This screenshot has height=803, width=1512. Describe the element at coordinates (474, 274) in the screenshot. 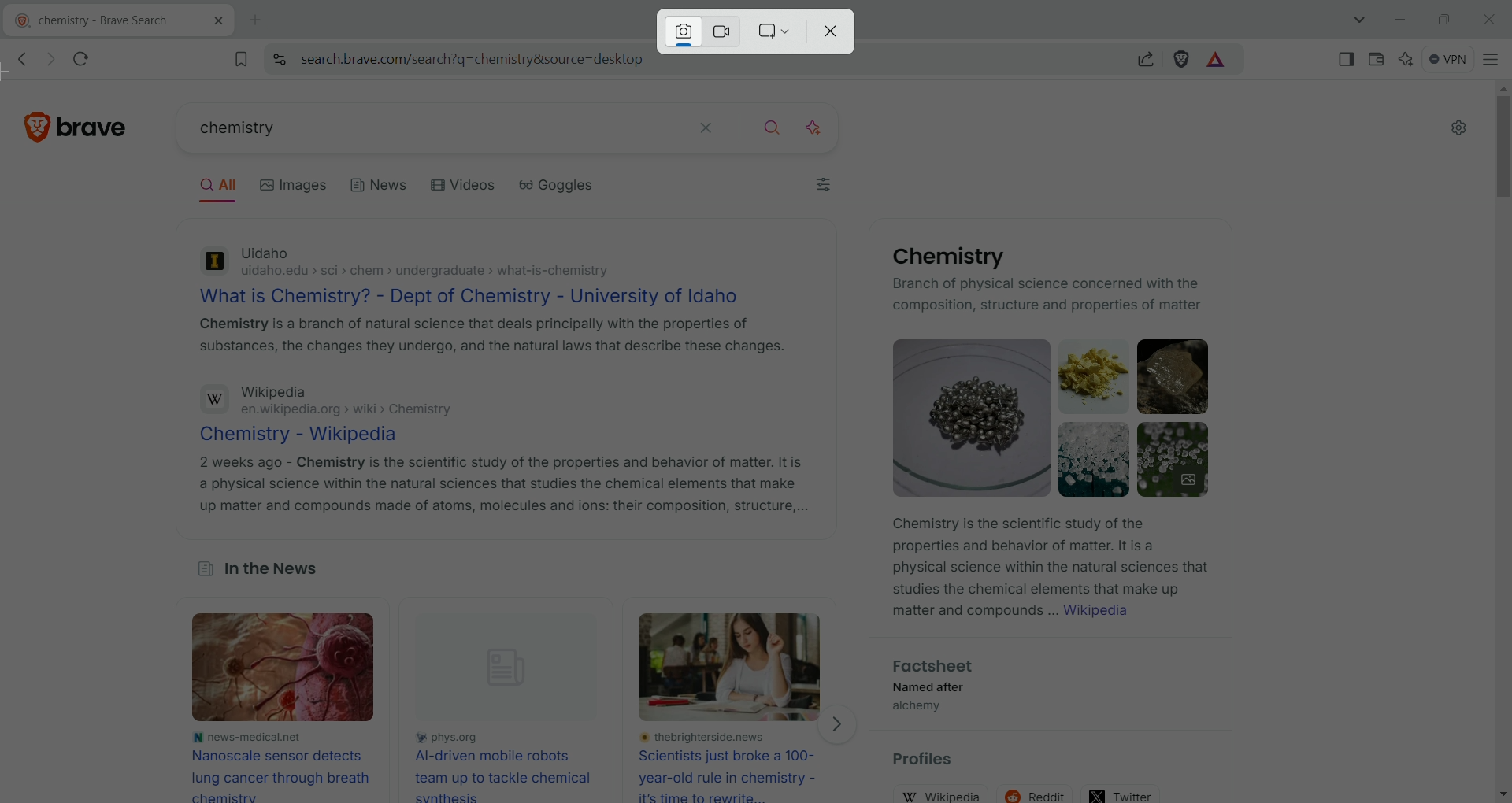

I see `Uidaho uidaho.edu › sci › chem › undergraduate › what-is-chemistry What is Chemistry? - Dept of Chemistry - University of Idaho` at that location.